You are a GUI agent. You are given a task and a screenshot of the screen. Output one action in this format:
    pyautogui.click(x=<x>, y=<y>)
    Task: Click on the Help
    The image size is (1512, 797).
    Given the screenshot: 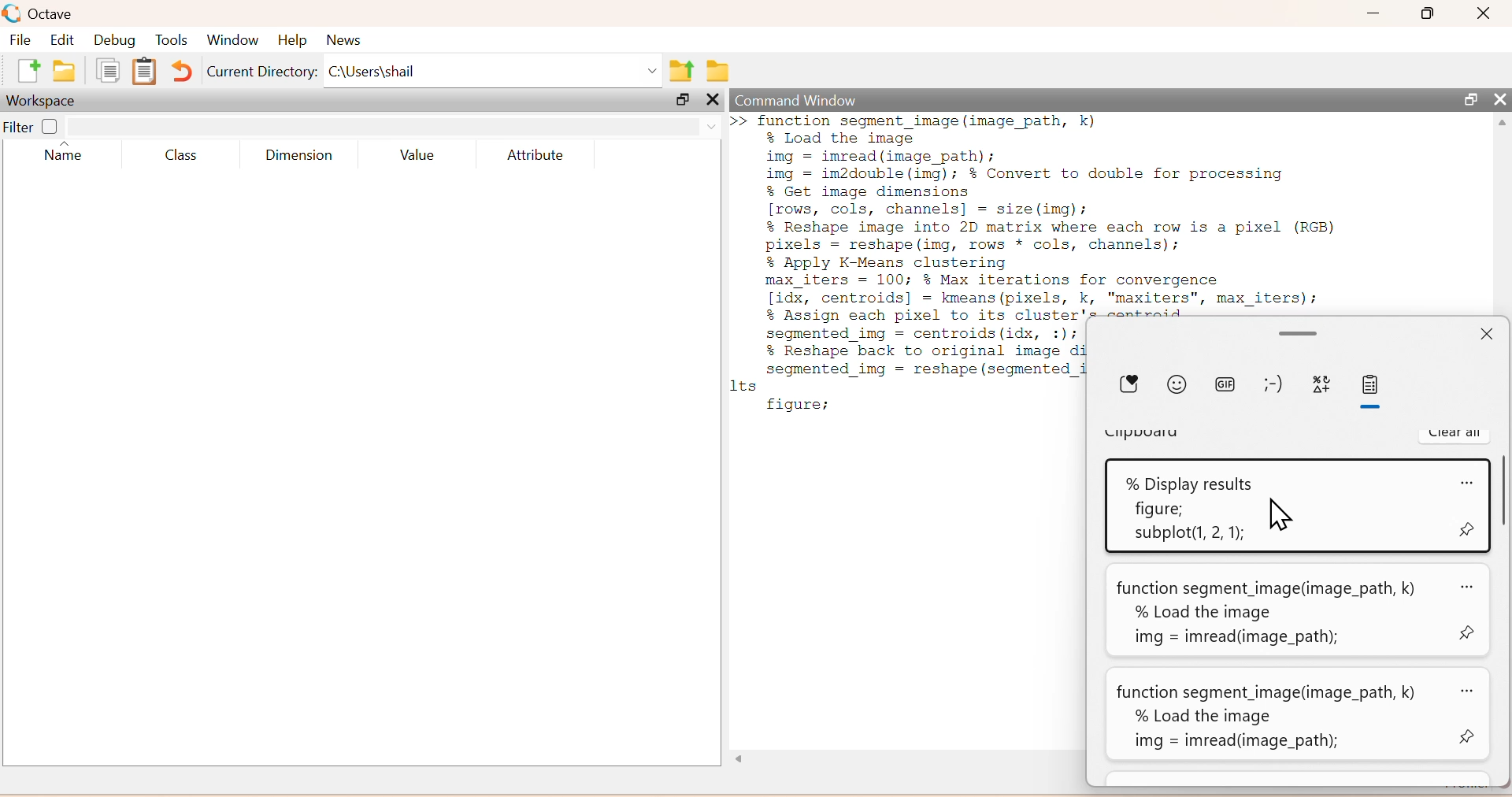 What is the action you would take?
    pyautogui.click(x=291, y=42)
    